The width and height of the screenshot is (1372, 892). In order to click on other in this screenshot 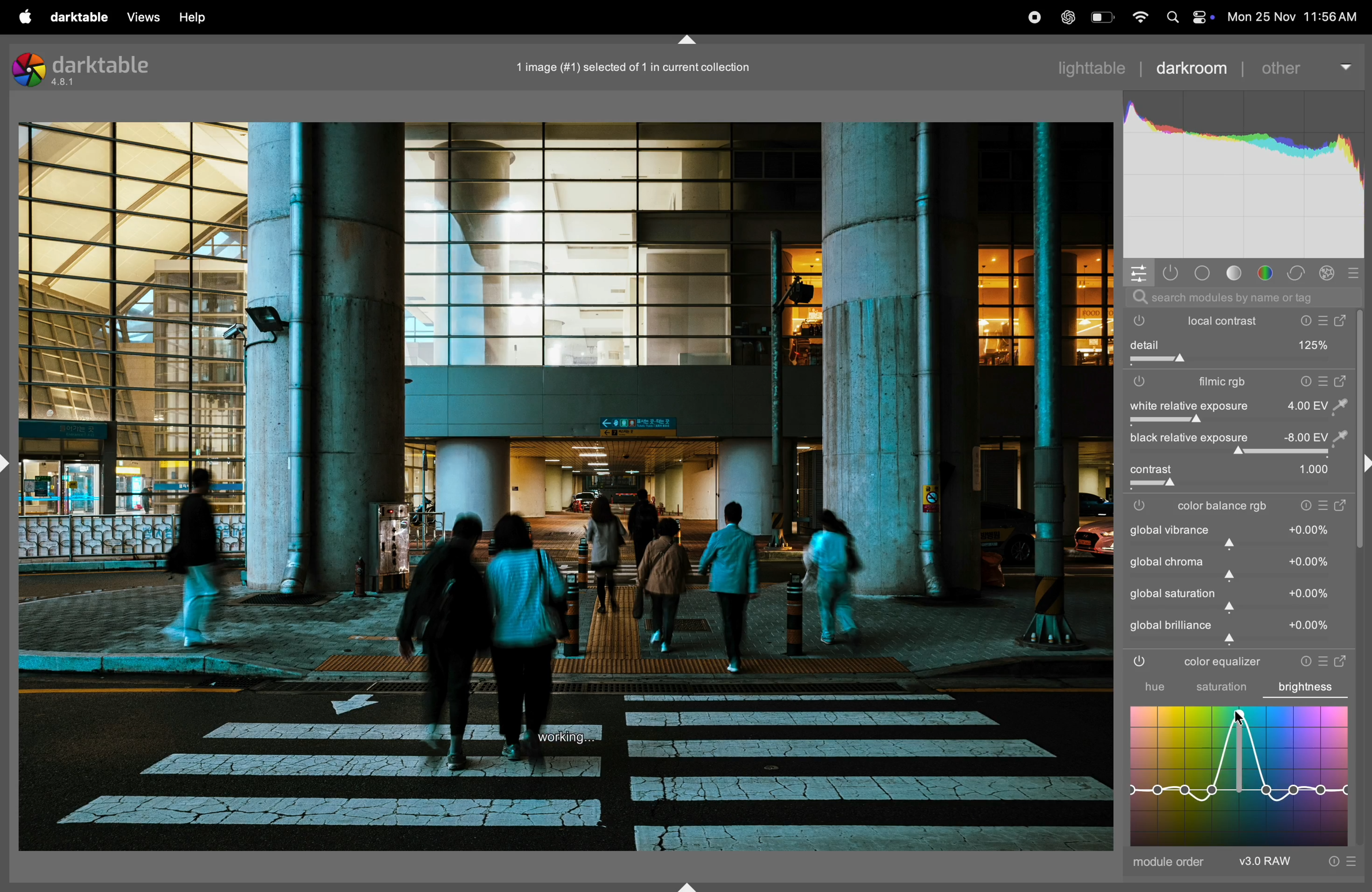, I will do `click(1306, 66)`.